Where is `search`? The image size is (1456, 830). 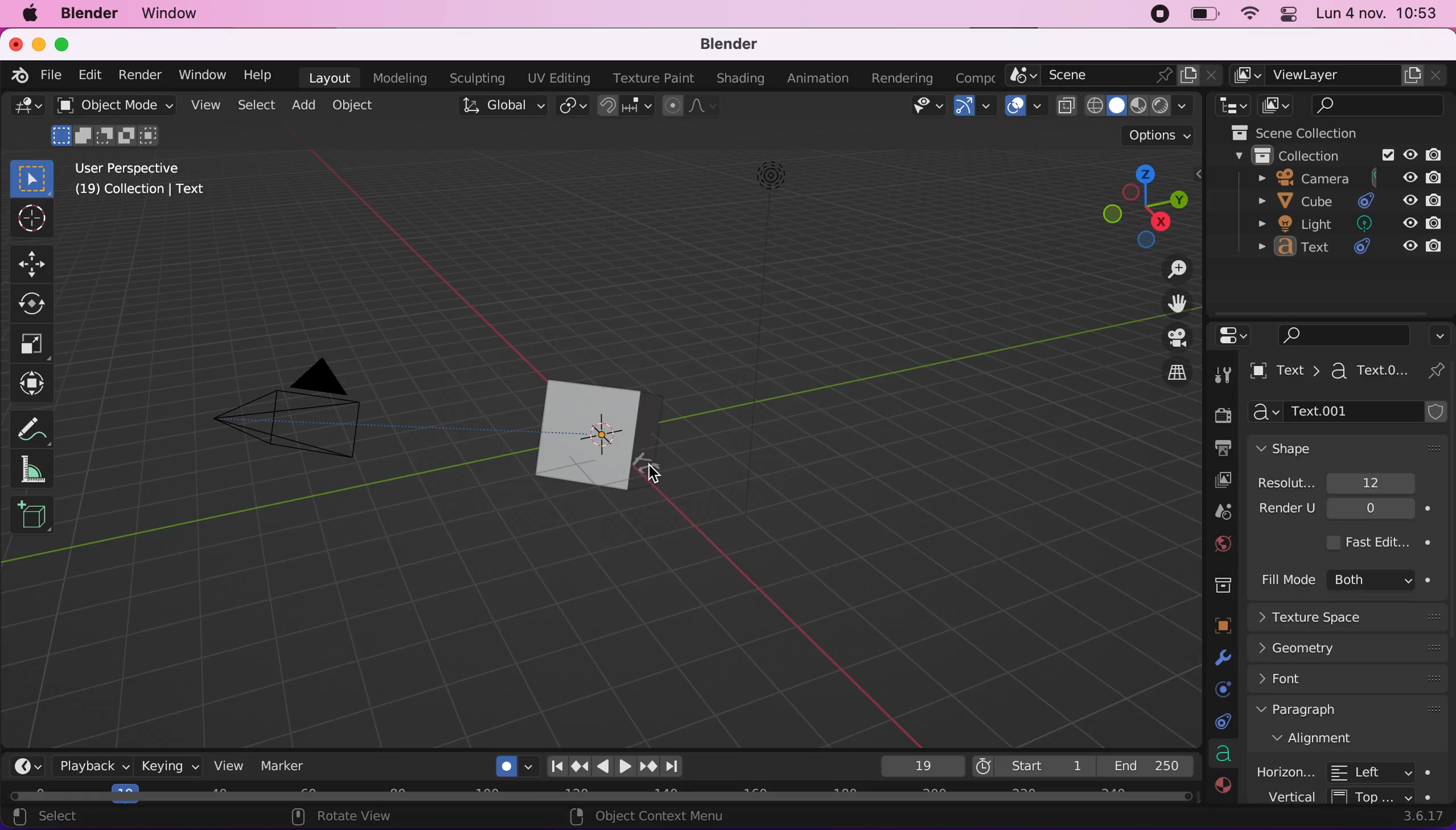 search is located at coordinates (1345, 334).